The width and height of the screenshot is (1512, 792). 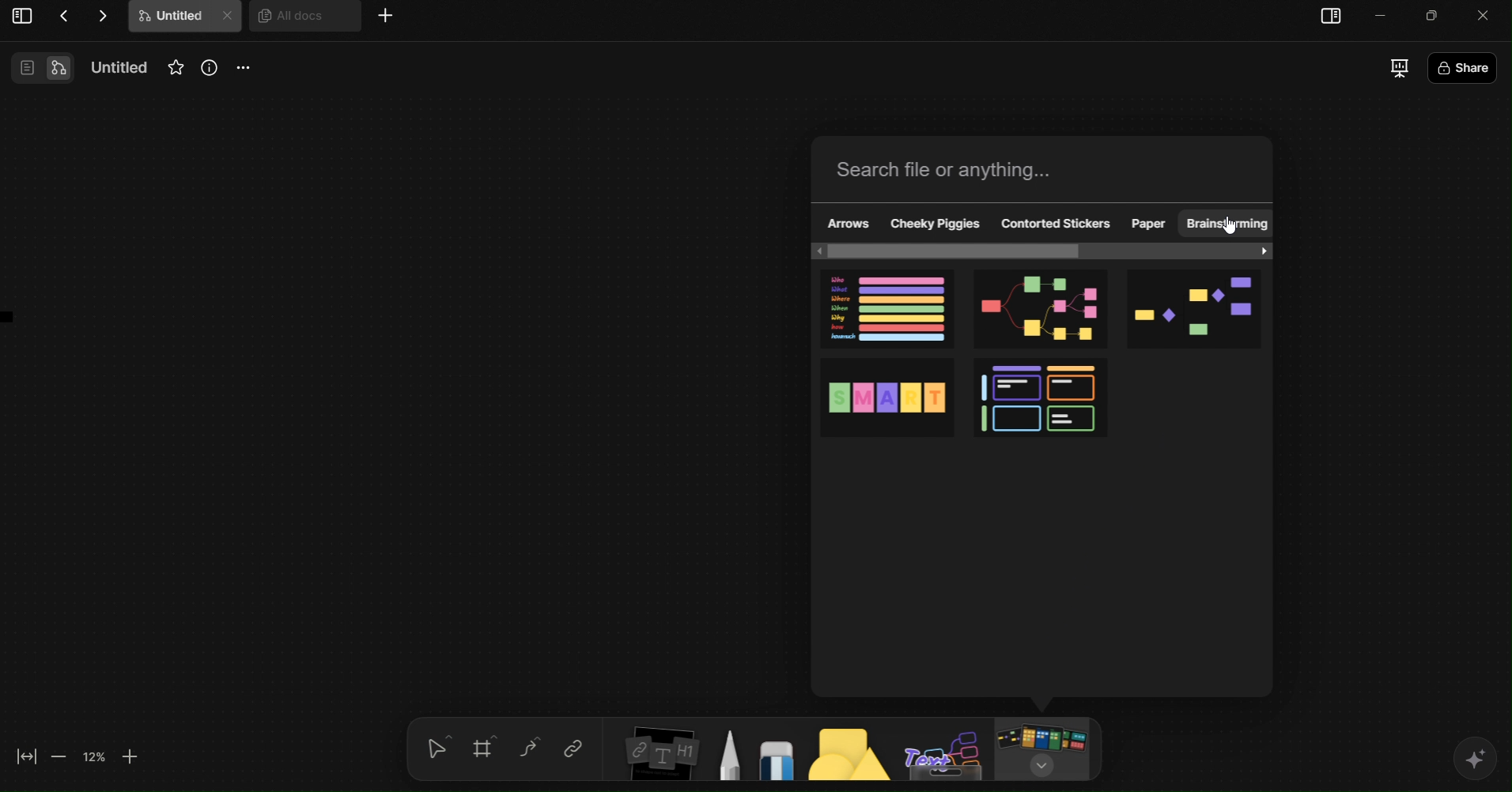 I want to click on minimize, so click(x=1384, y=15).